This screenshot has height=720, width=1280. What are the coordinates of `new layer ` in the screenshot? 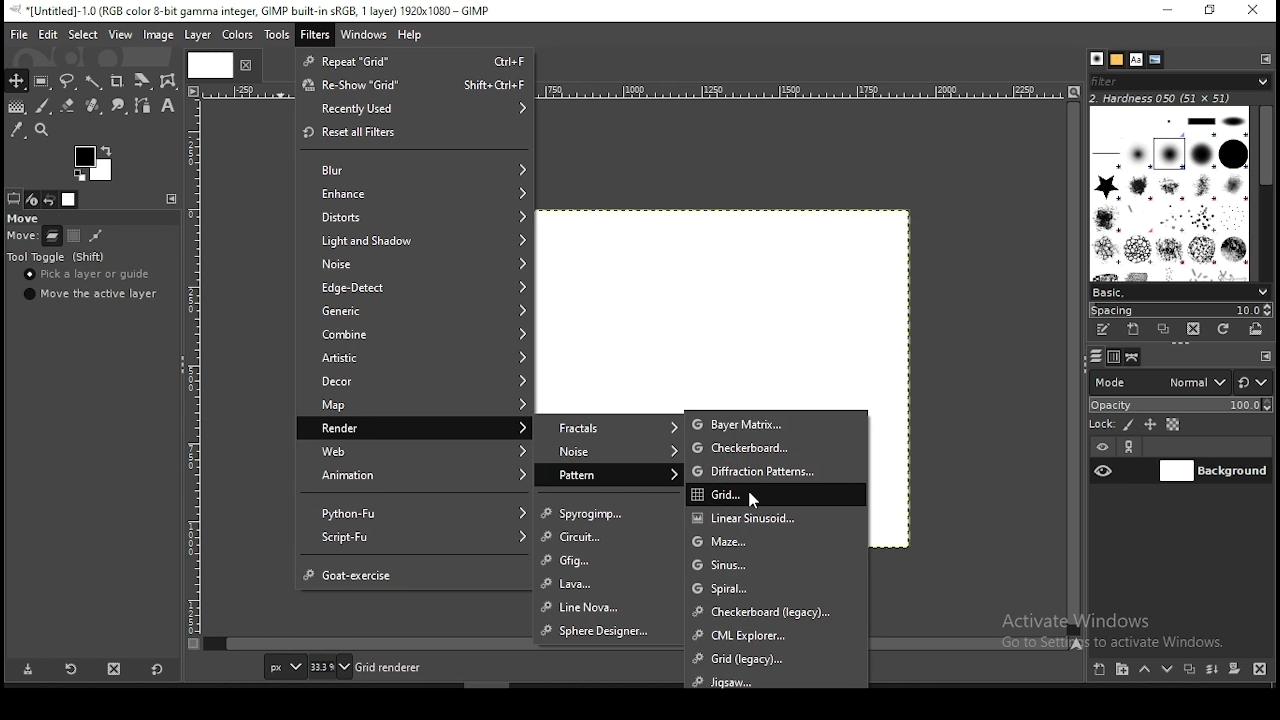 It's located at (1101, 670).